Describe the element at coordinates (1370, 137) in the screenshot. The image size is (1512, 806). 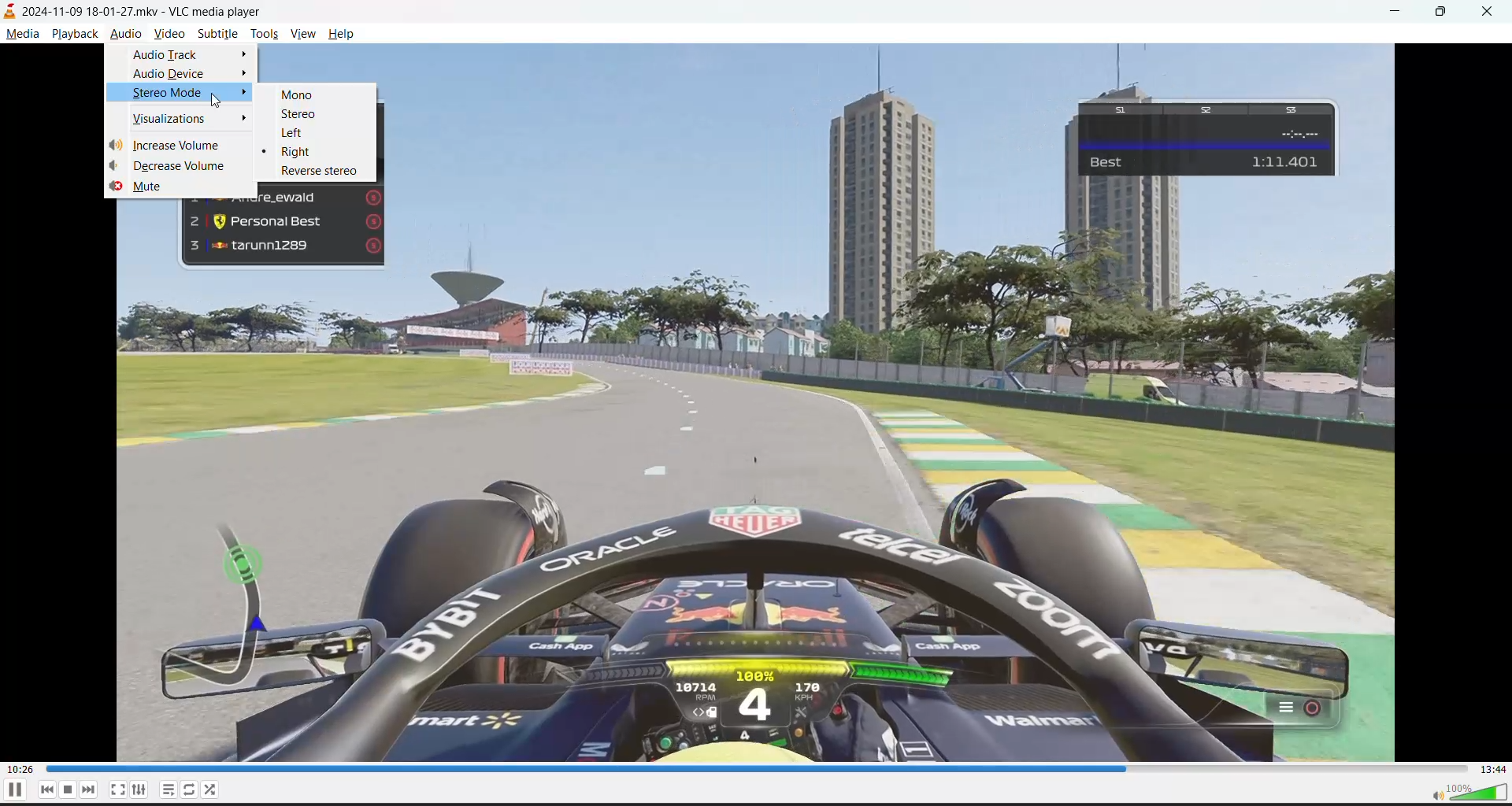
I see `preview` at that location.